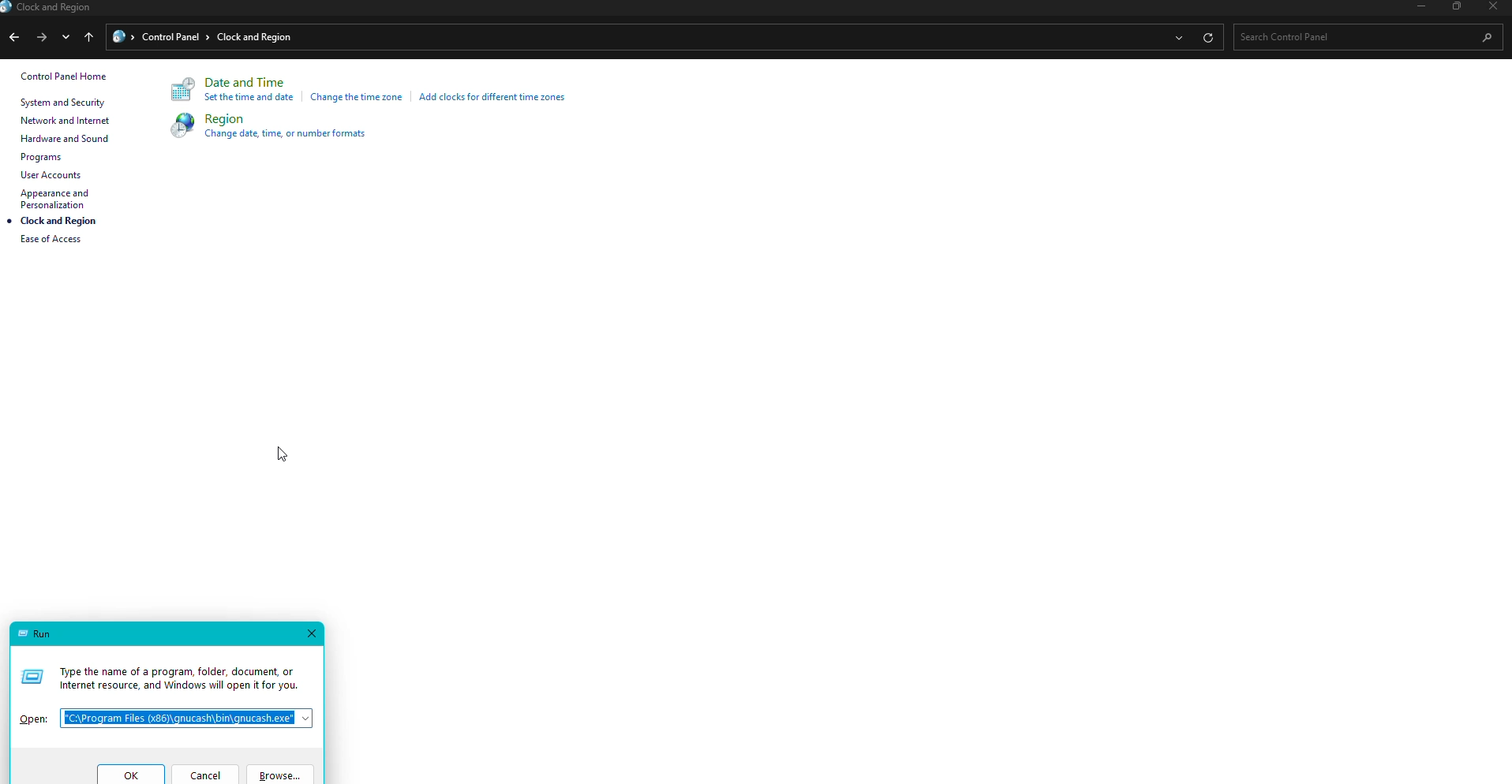 The height and width of the screenshot is (784, 1512). What do you see at coordinates (1362, 36) in the screenshot?
I see `Search bar` at bounding box center [1362, 36].